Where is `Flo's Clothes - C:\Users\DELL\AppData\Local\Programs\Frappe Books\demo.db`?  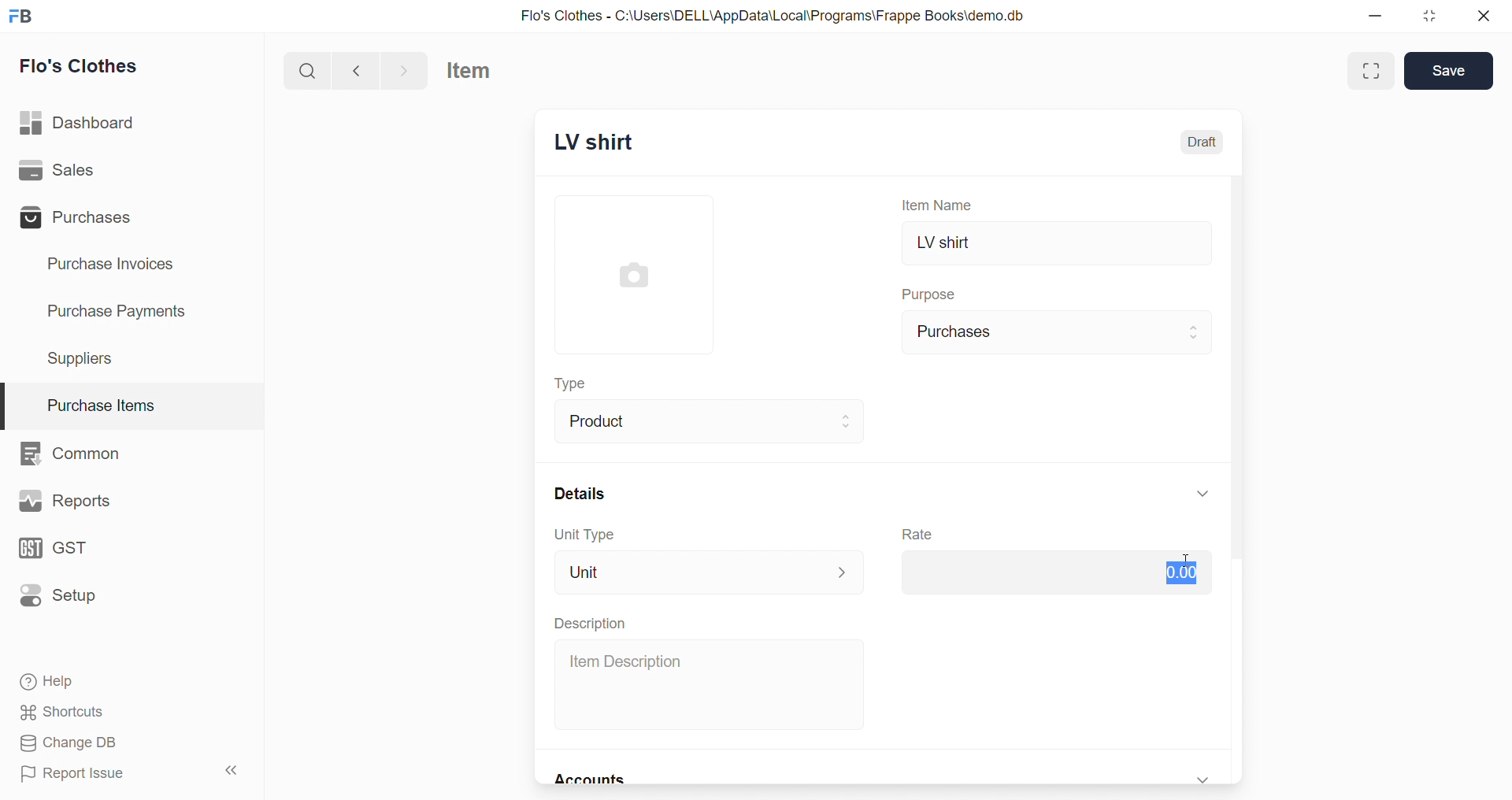
Flo's Clothes - C:\Users\DELL\AppData\Local\Programs\Frappe Books\demo.db is located at coordinates (773, 14).